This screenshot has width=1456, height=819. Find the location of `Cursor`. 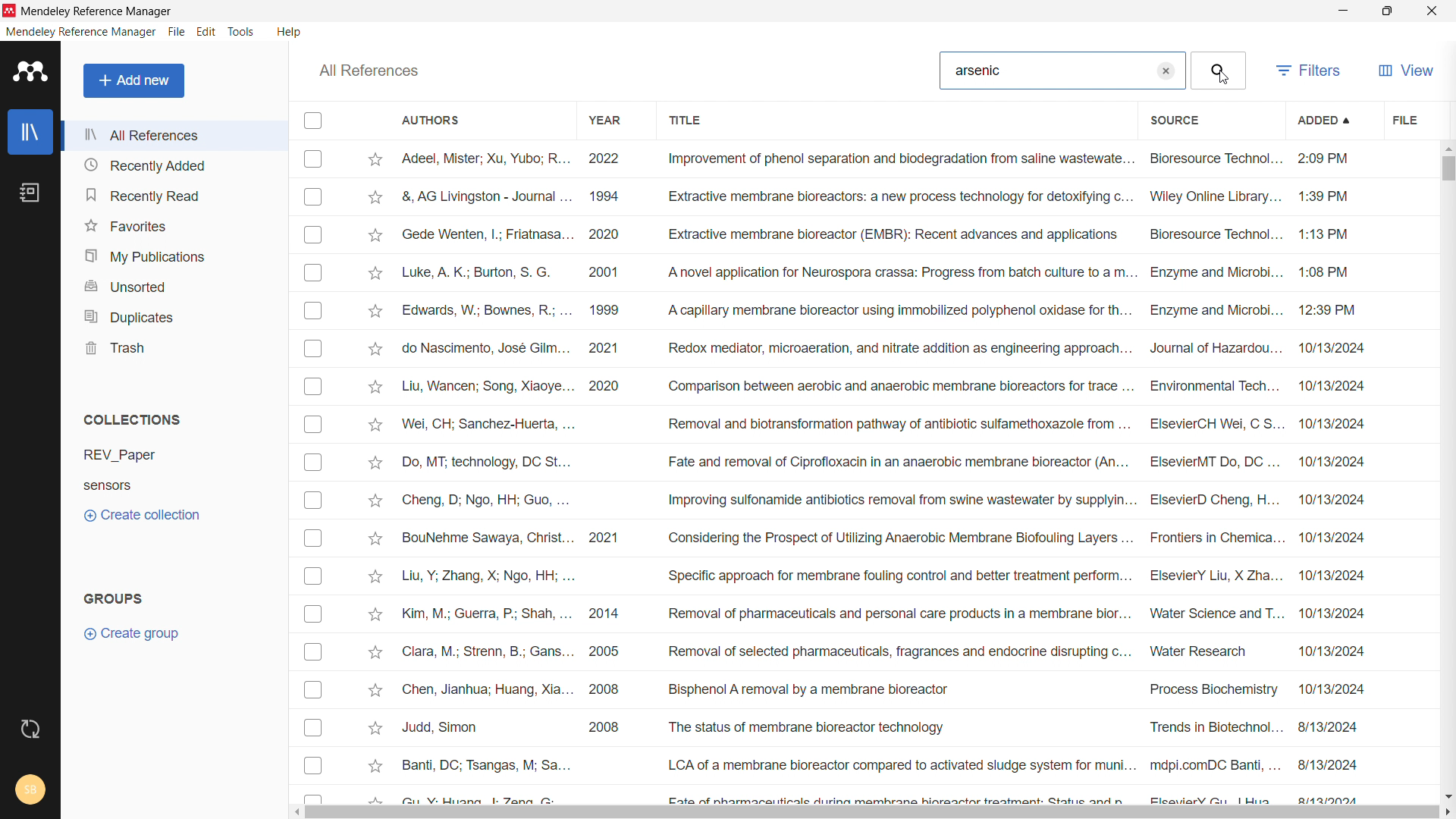

Cursor is located at coordinates (1227, 81).